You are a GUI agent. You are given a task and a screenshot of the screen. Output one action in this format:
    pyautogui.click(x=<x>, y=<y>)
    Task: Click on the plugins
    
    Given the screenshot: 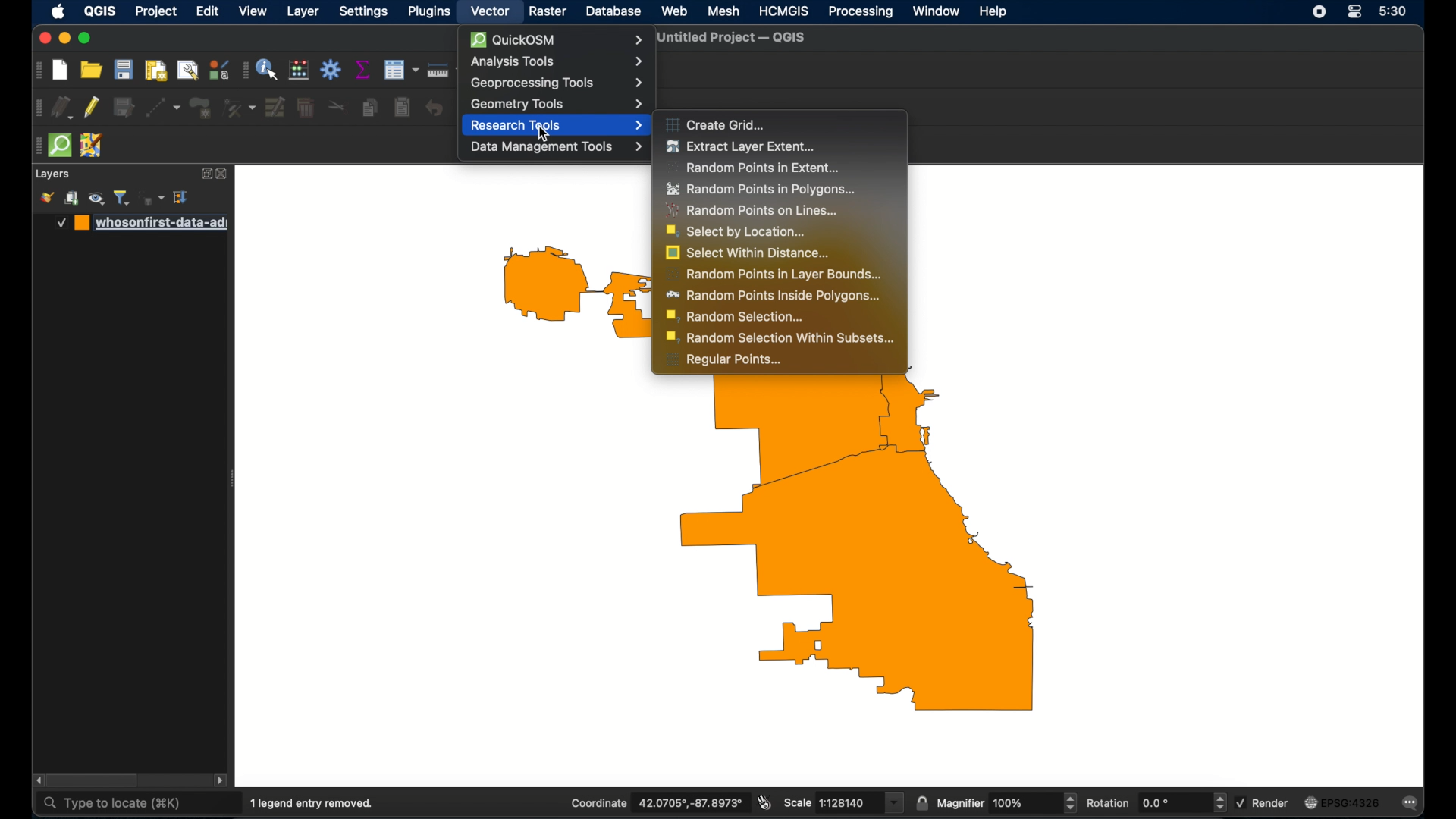 What is the action you would take?
    pyautogui.click(x=429, y=12)
    